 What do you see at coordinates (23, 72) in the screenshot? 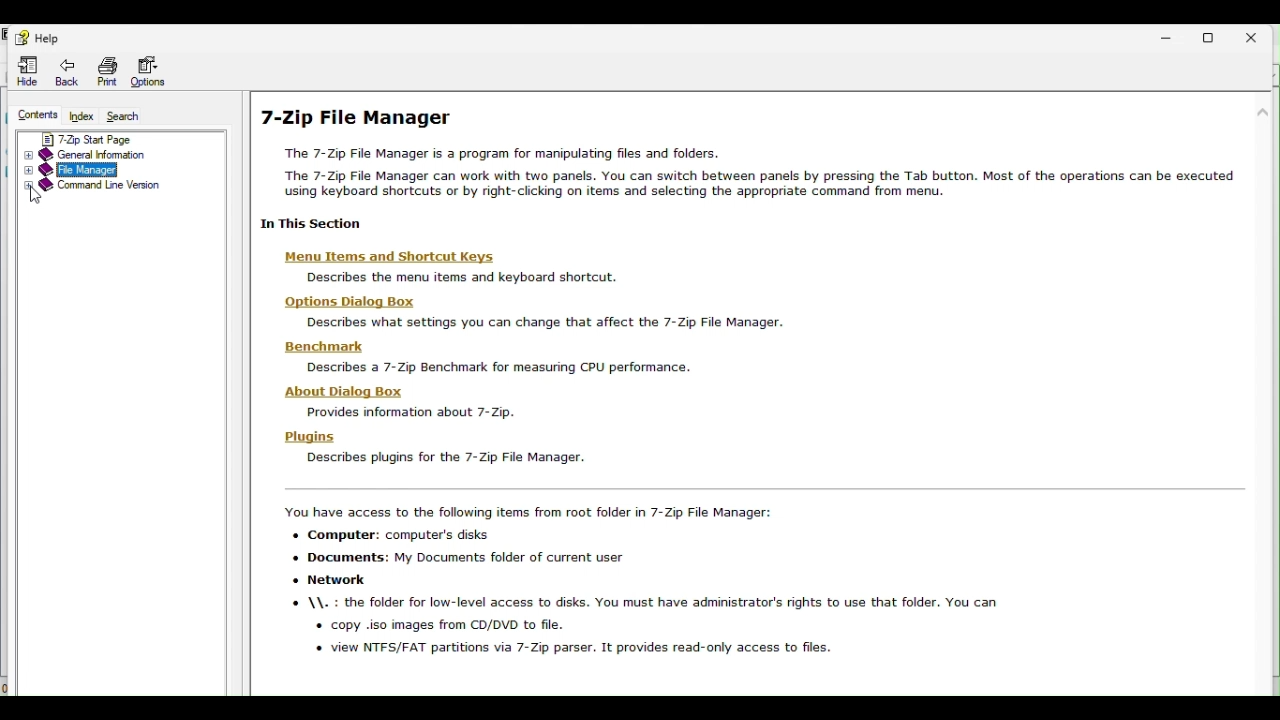
I see `Hide ` at bounding box center [23, 72].